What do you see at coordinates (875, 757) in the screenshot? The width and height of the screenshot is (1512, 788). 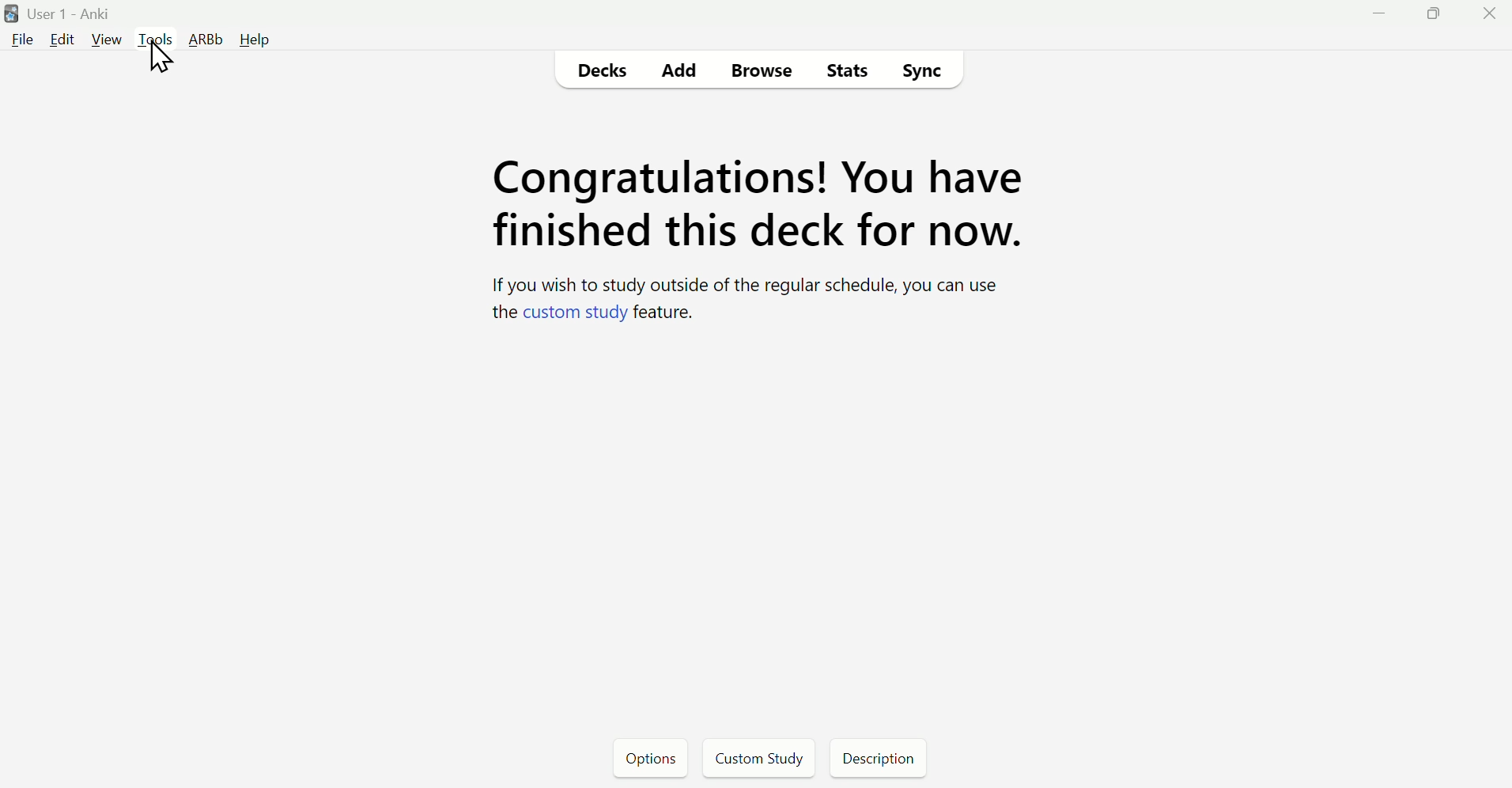 I see `Description` at bounding box center [875, 757].